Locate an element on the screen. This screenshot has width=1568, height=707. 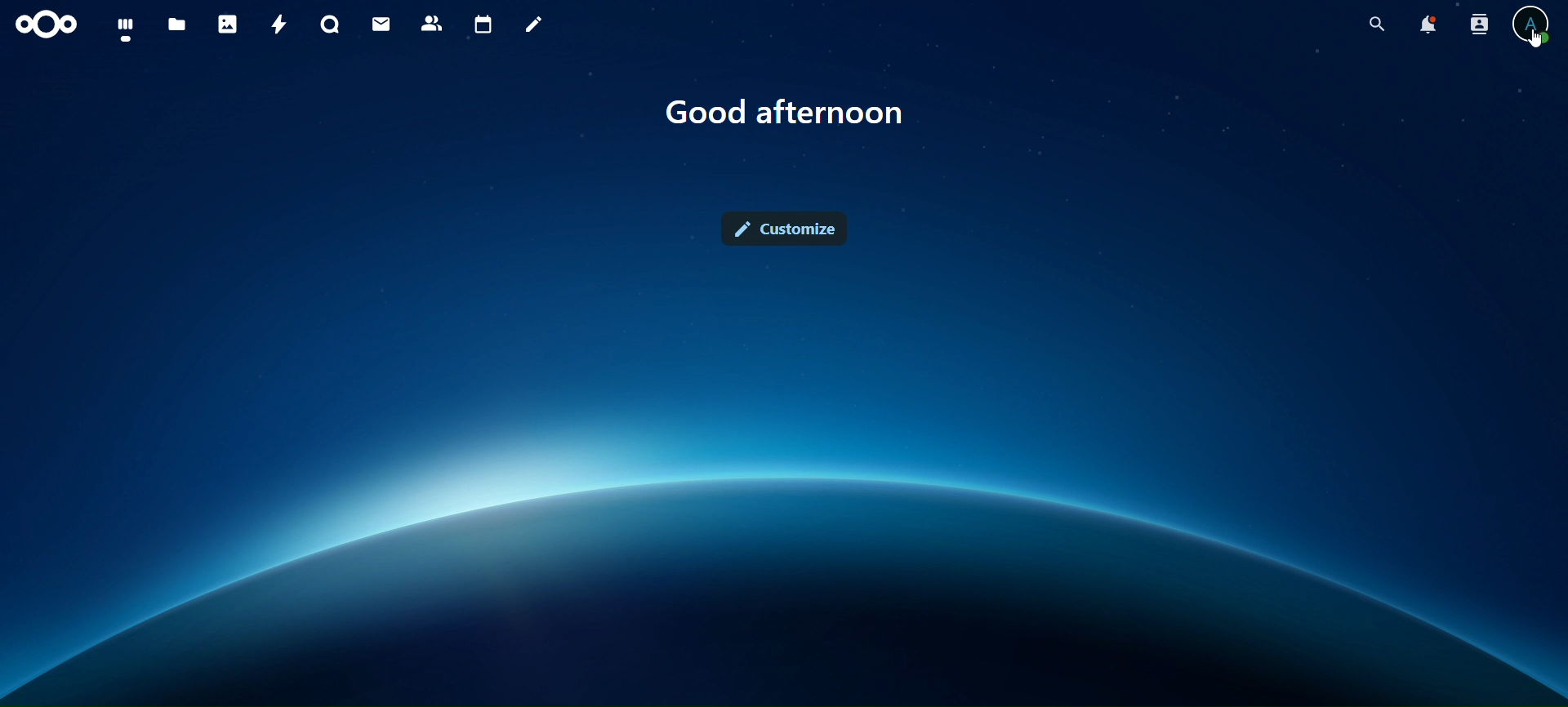
search is located at coordinates (1377, 25).